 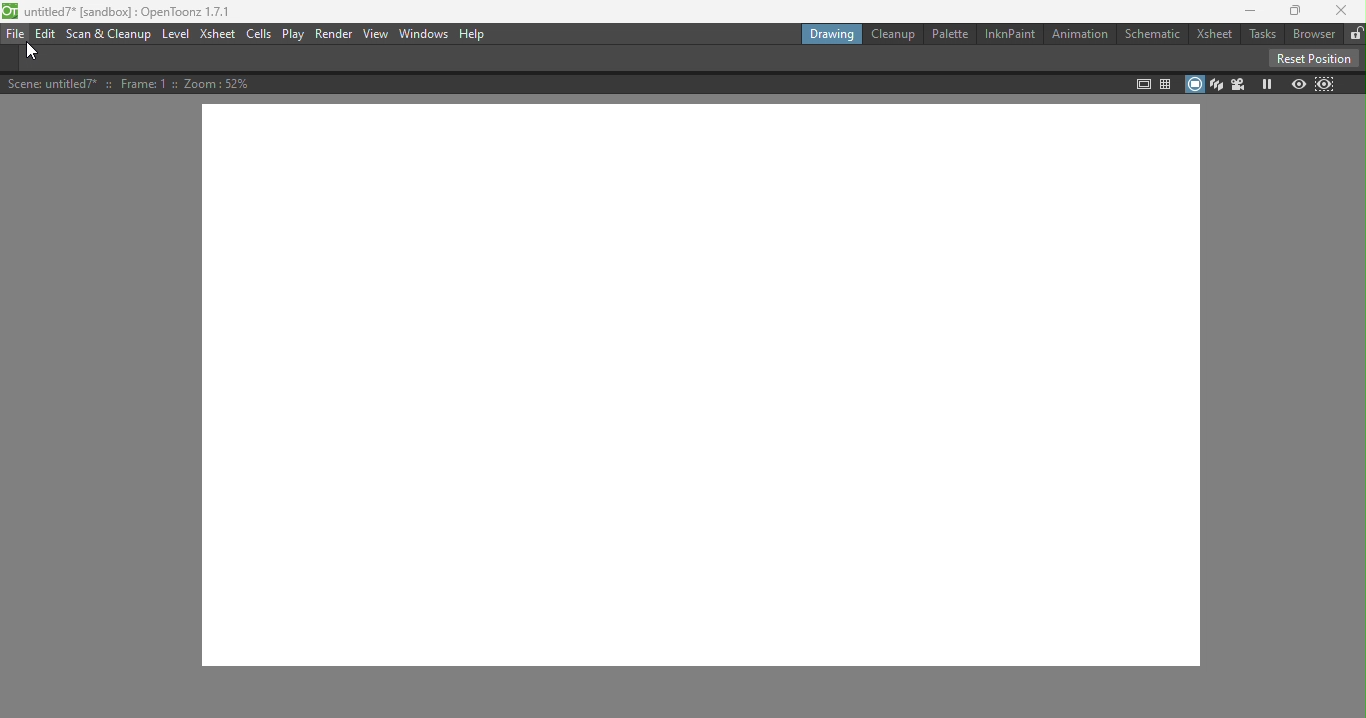 What do you see at coordinates (1154, 33) in the screenshot?
I see `Schematic` at bounding box center [1154, 33].